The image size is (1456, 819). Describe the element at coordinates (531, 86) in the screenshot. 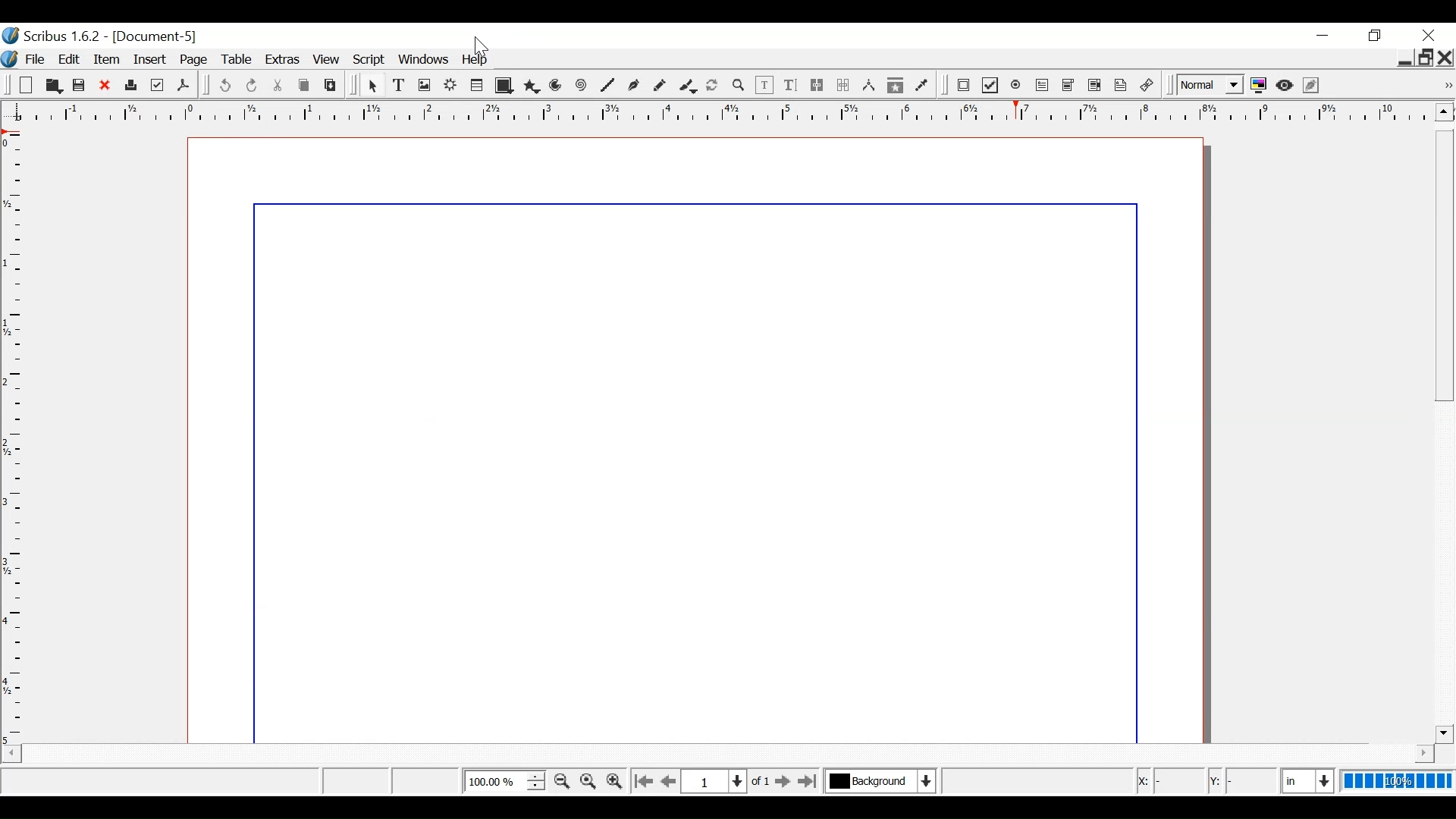

I see `Polygon` at that location.